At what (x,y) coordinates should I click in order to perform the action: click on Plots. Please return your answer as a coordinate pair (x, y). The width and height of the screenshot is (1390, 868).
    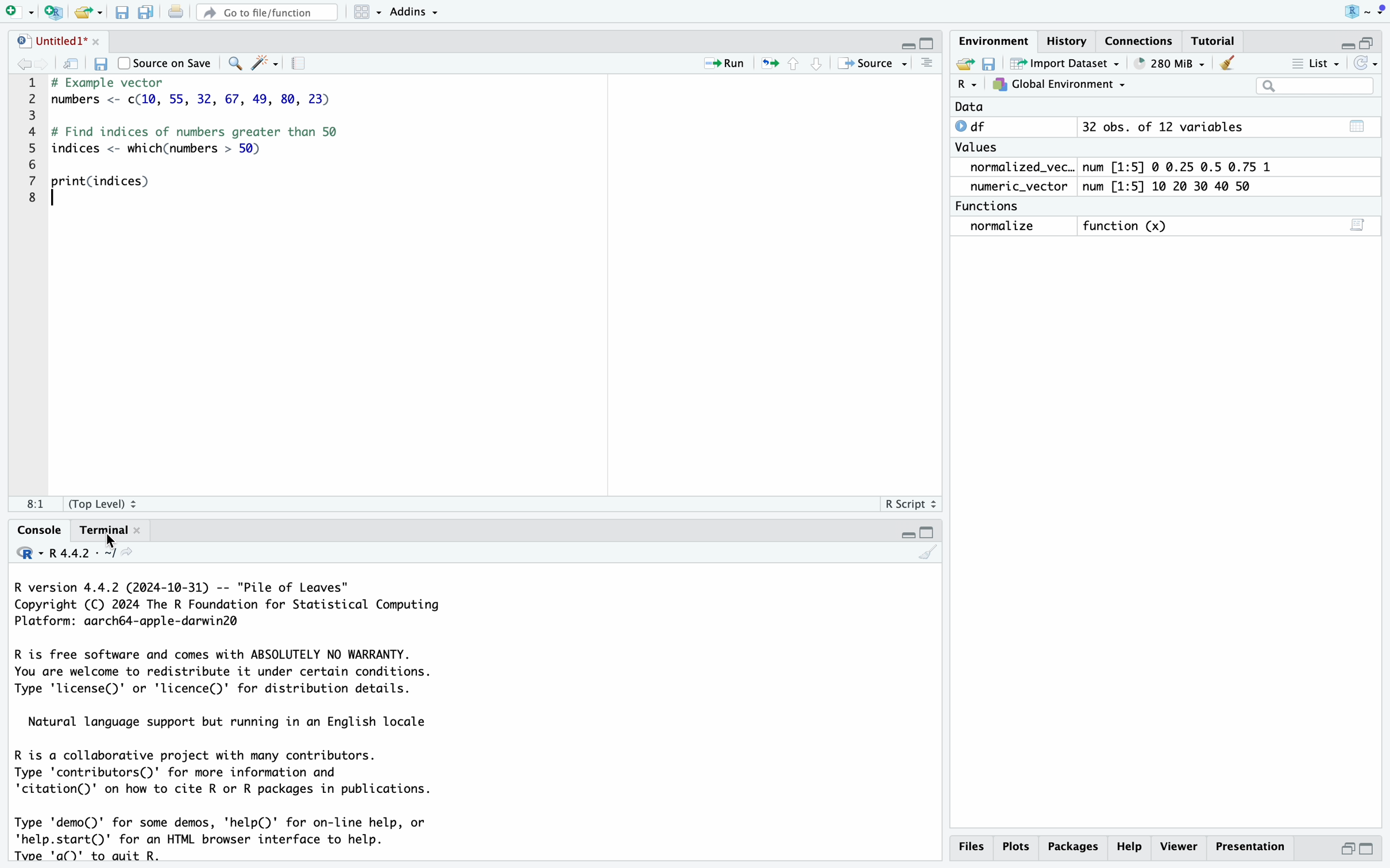
    Looking at the image, I should click on (1020, 846).